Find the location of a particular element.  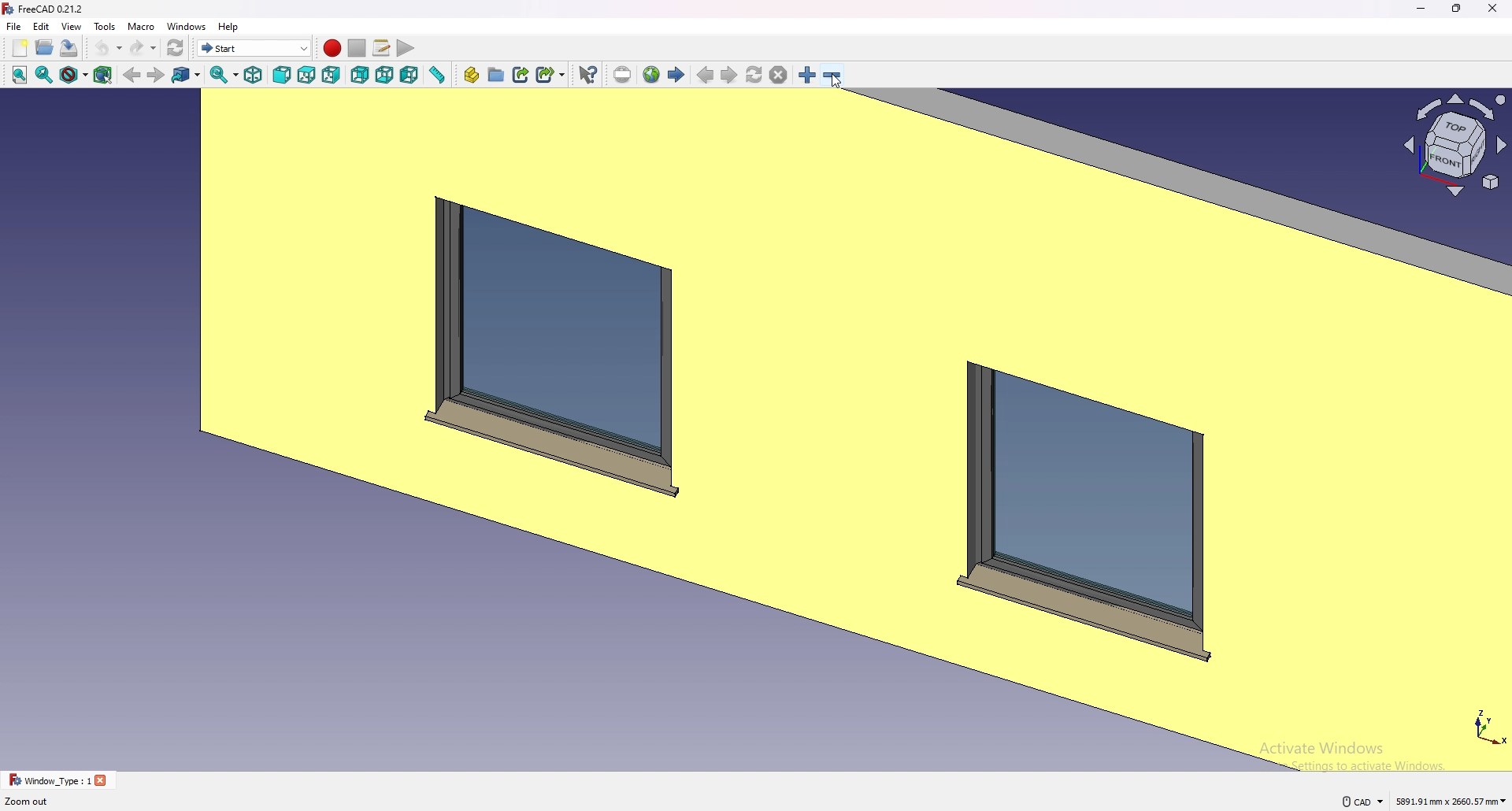

stop loading is located at coordinates (779, 76).